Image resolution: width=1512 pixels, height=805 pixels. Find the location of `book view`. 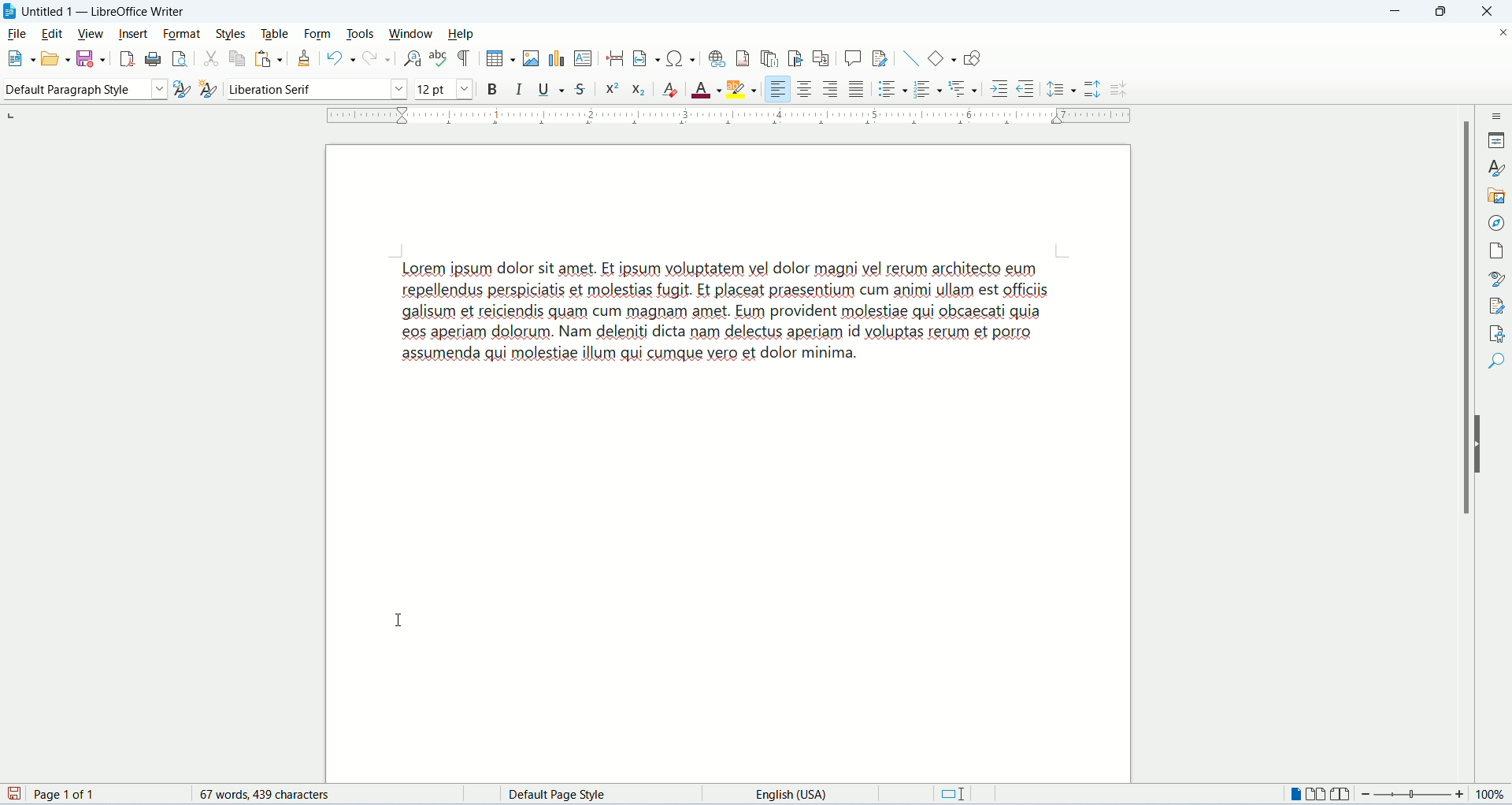

book view is located at coordinates (1343, 796).